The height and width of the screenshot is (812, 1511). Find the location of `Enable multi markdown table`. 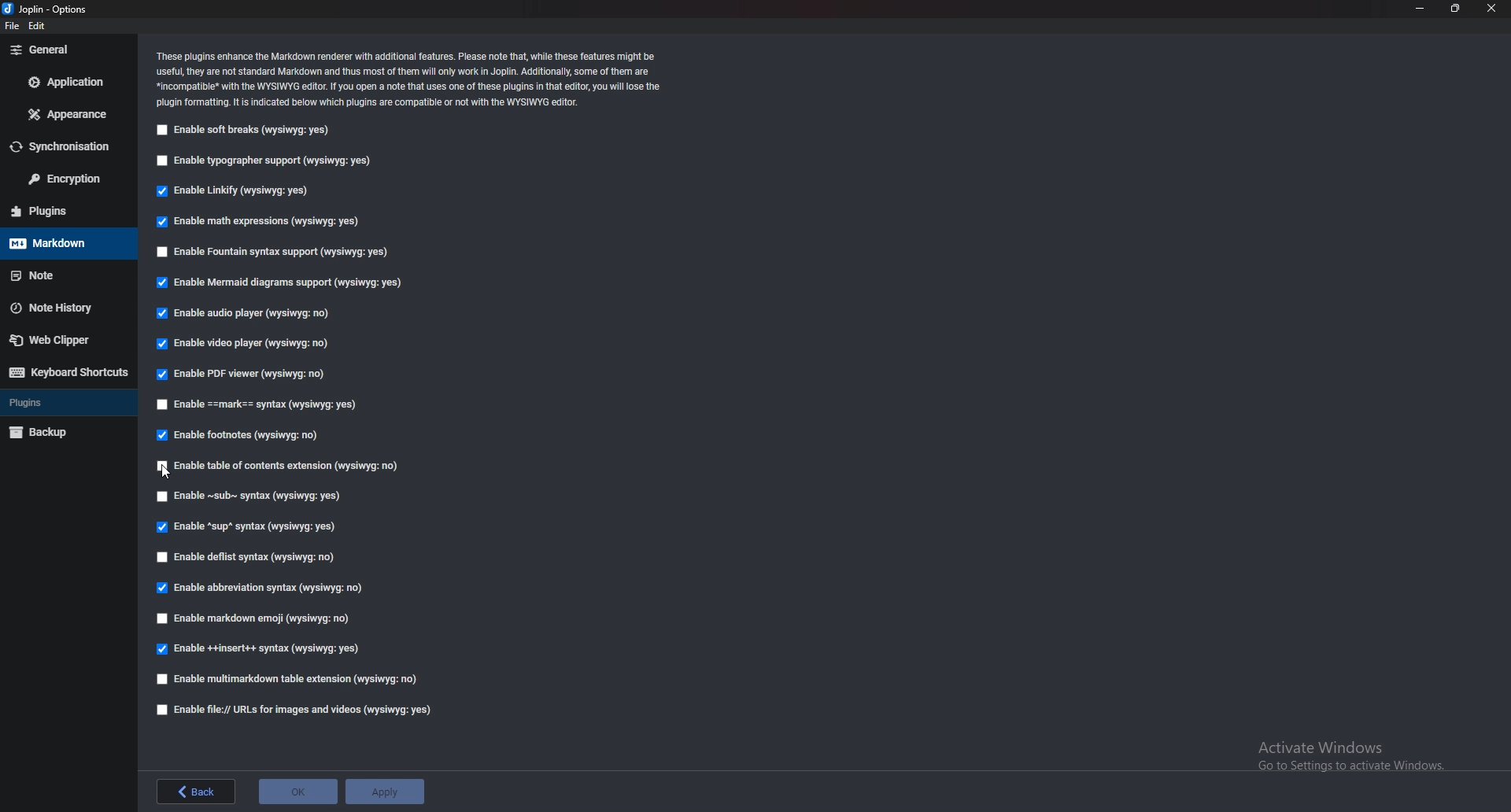

Enable multi markdown table is located at coordinates (291, 679).